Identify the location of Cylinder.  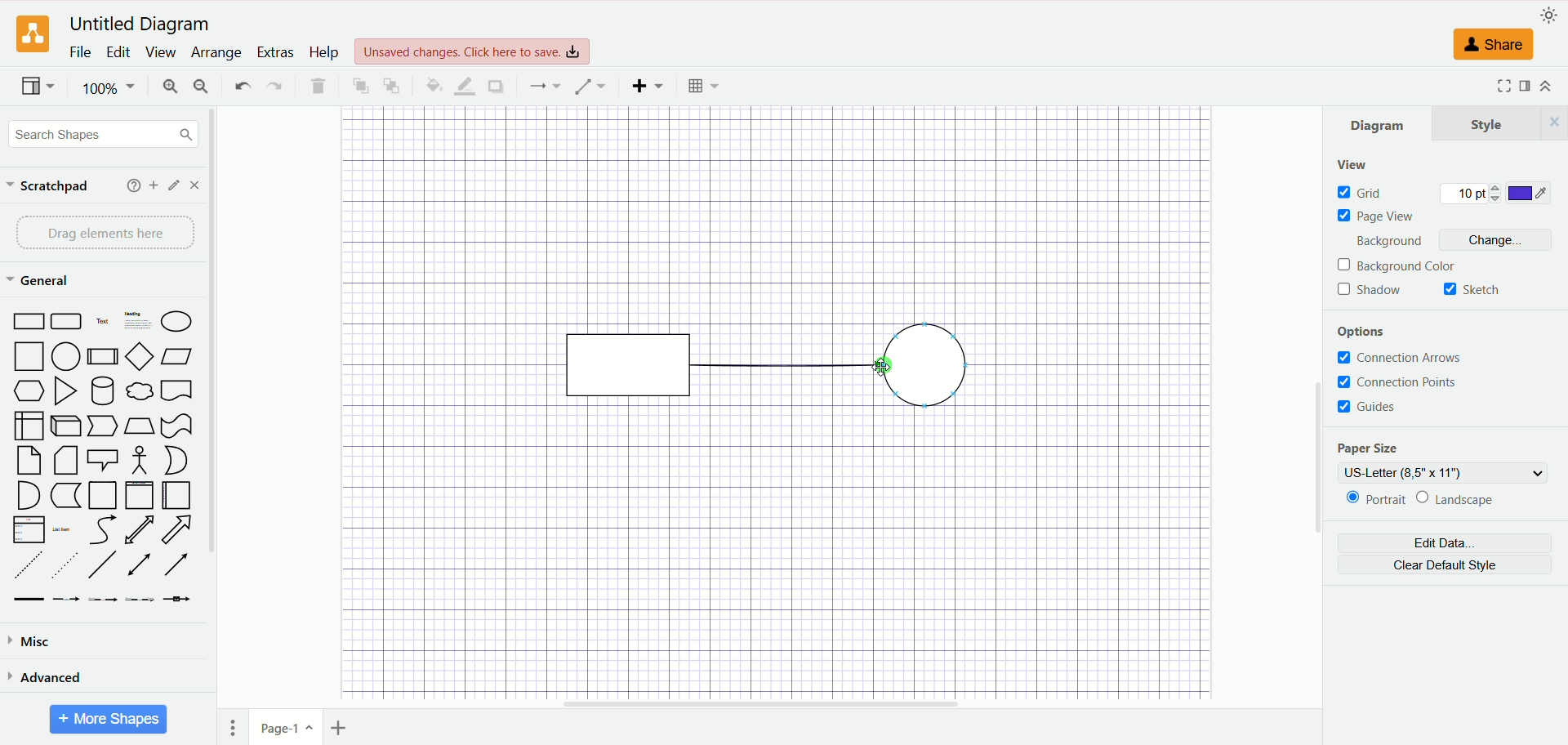
(104, 391).